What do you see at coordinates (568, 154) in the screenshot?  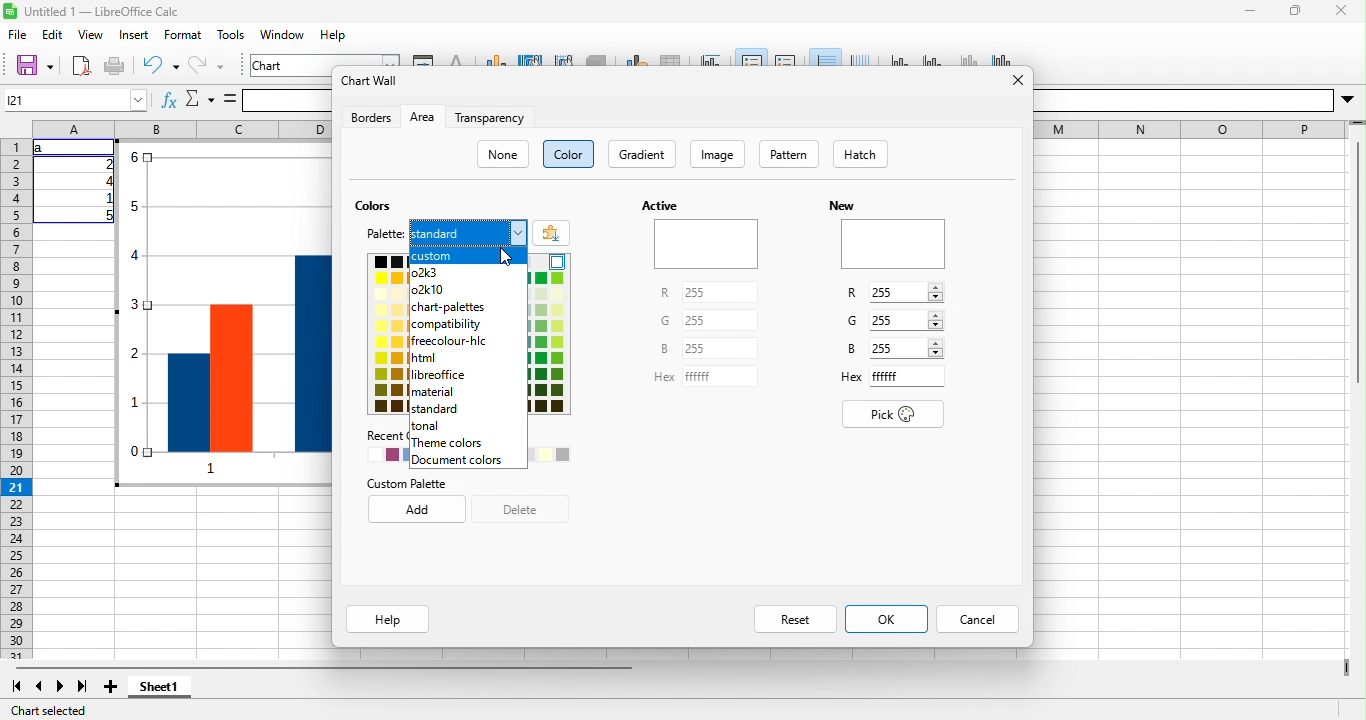 I see `color` at bounding box center [568, 154].